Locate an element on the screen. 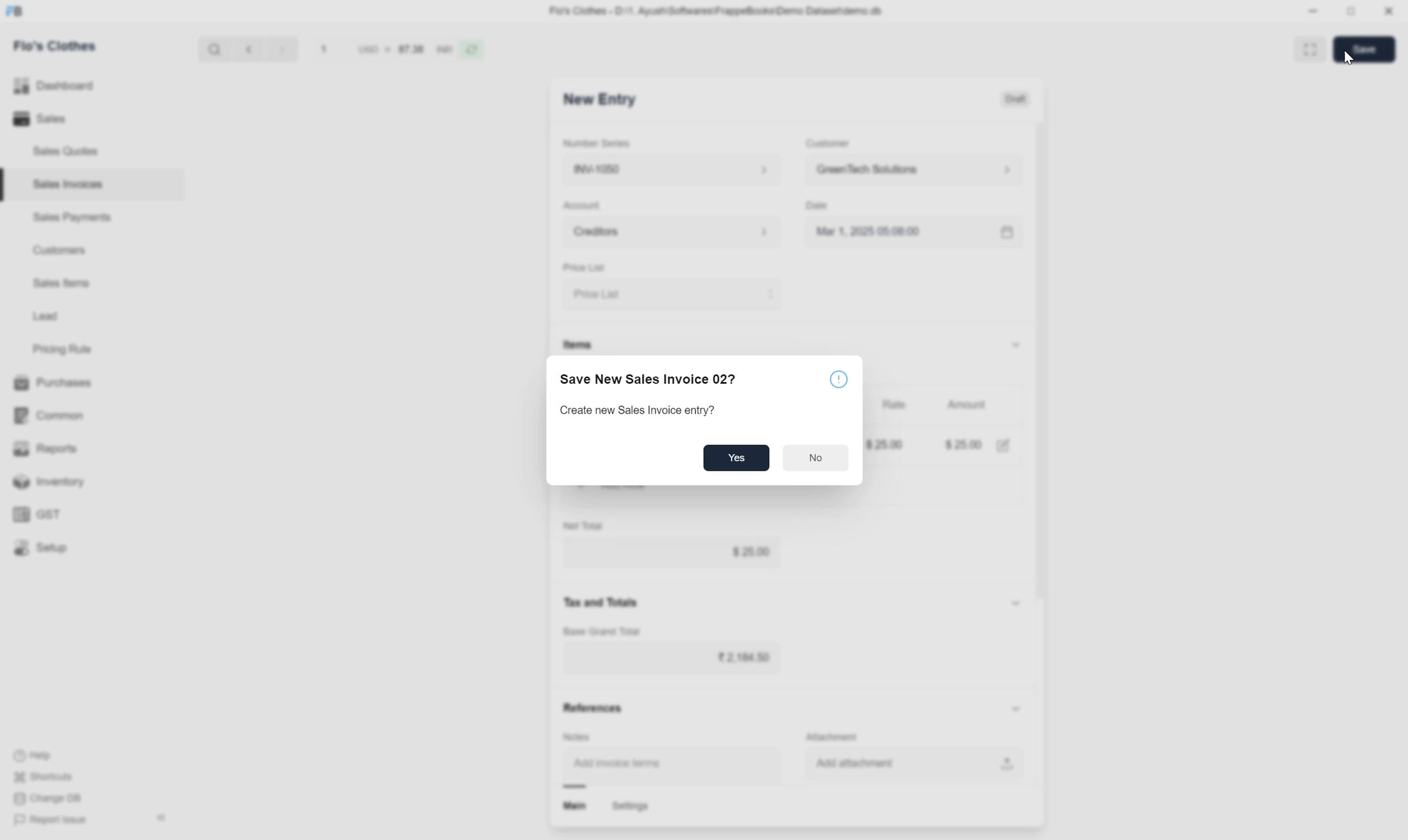 This screenshot has width=1408, height=840. Lead is located at coordinates (45, 318).